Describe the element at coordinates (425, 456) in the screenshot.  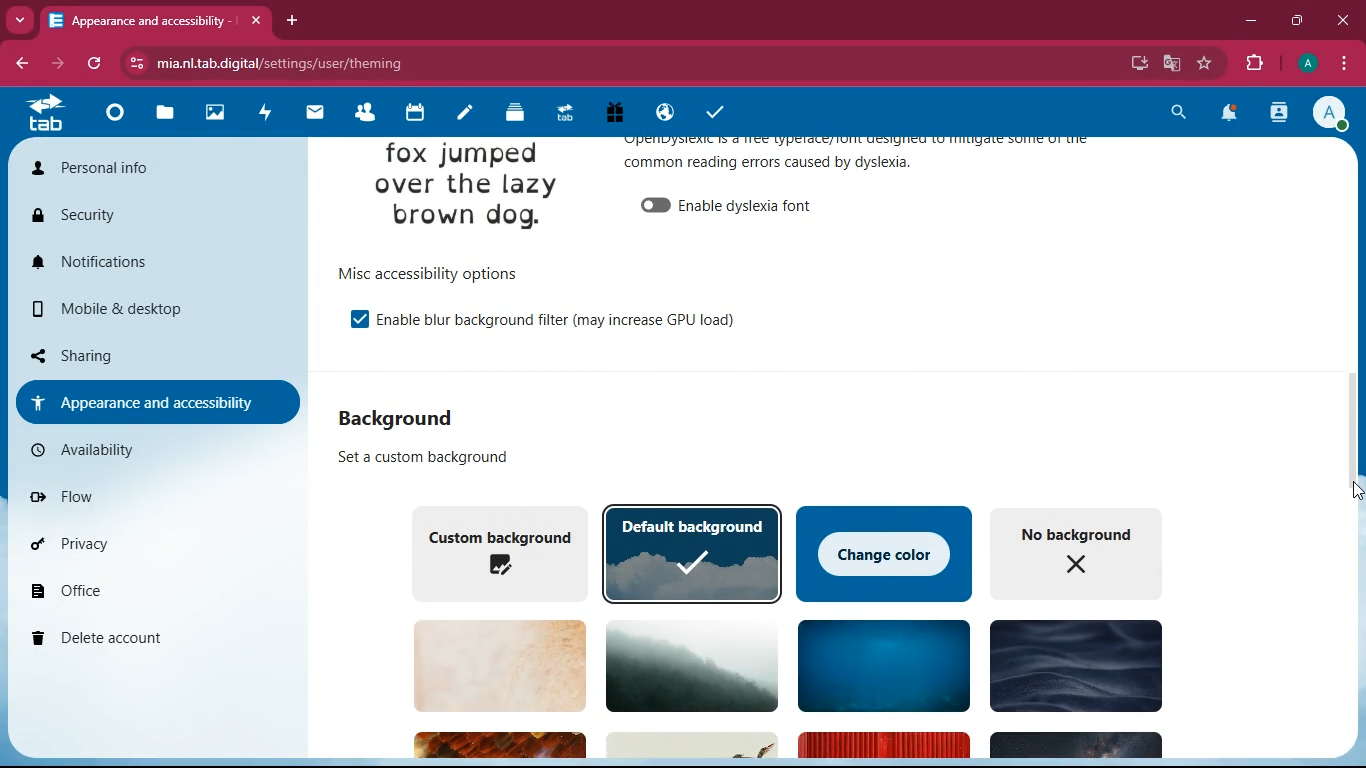
I see `custom background` at that location.